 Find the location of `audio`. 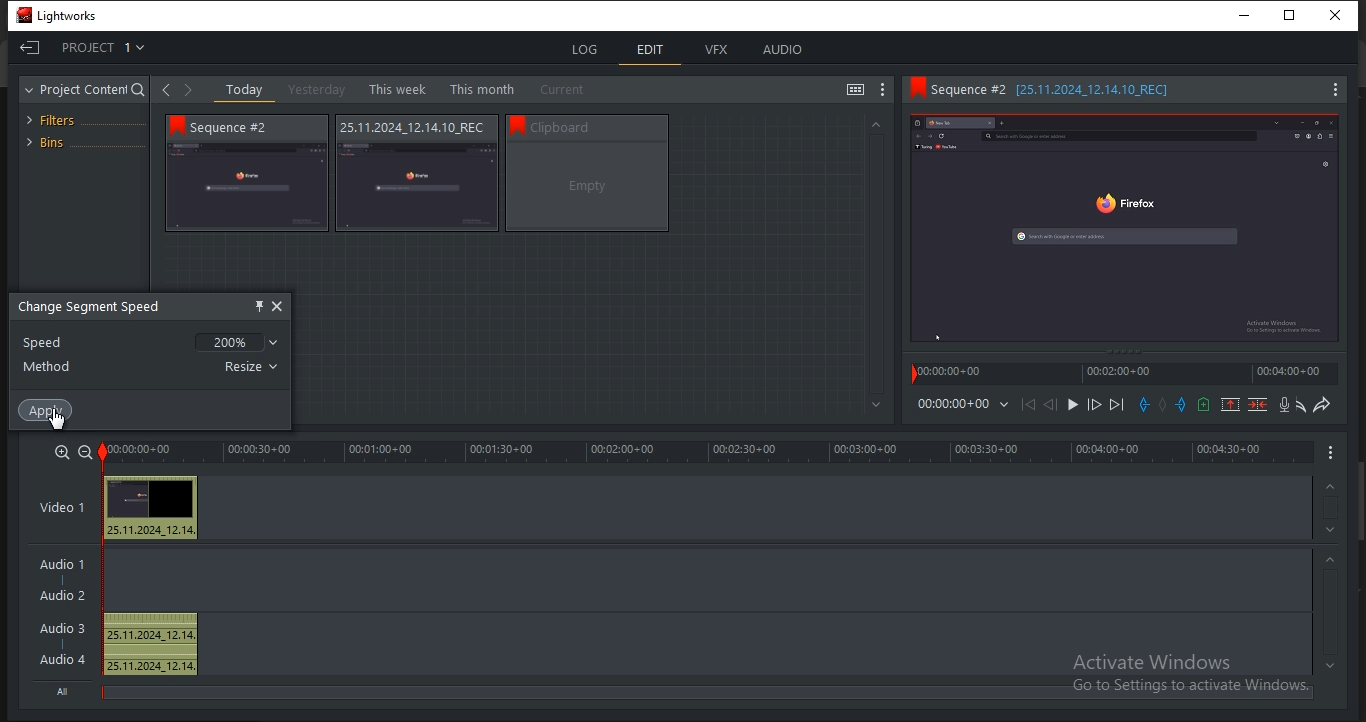

audio is located at coordinates (785, 50).